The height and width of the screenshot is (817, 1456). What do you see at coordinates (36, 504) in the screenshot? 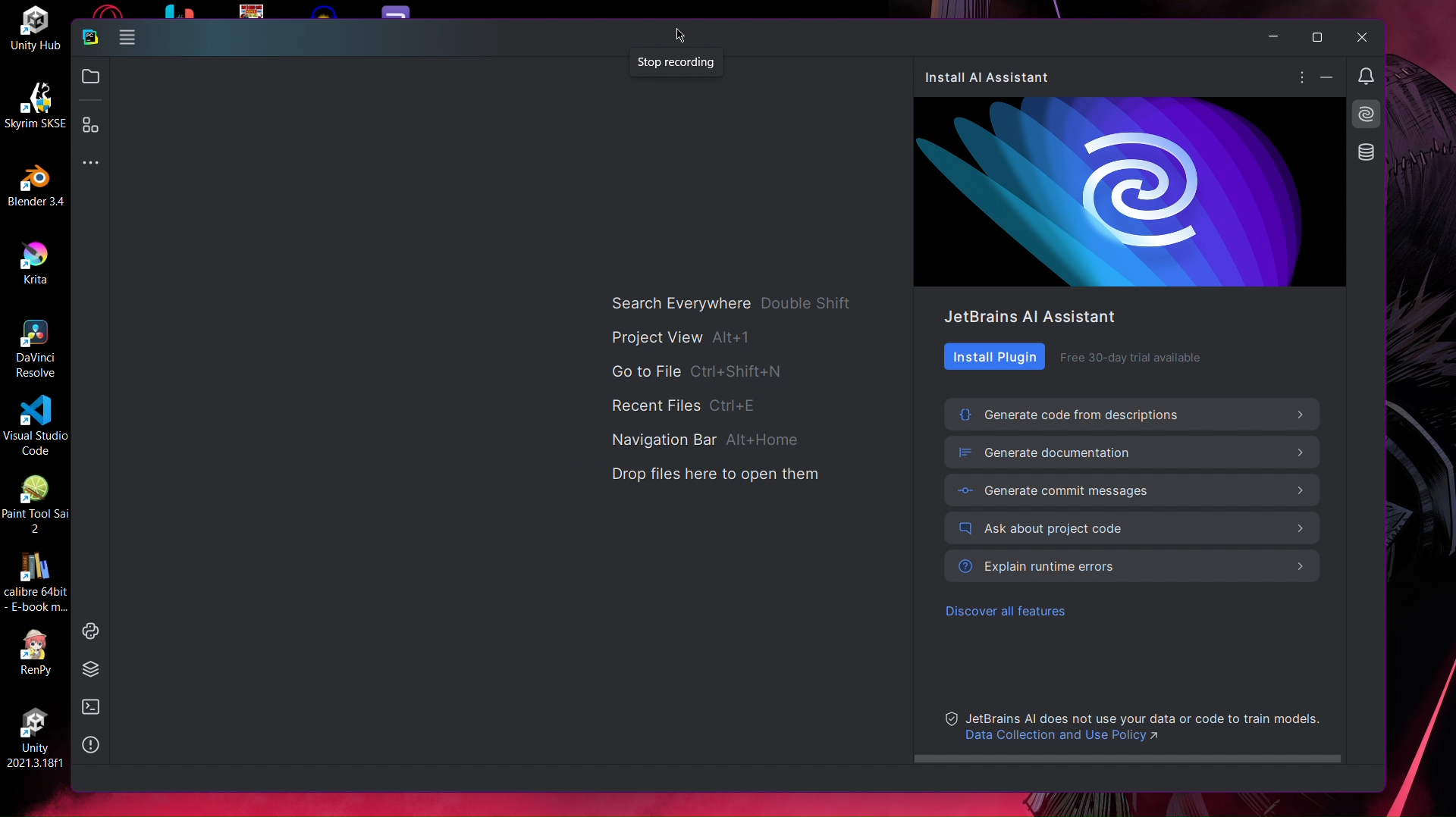
I see `Paint Tool Sai 2` at bounding box center [36, 504].